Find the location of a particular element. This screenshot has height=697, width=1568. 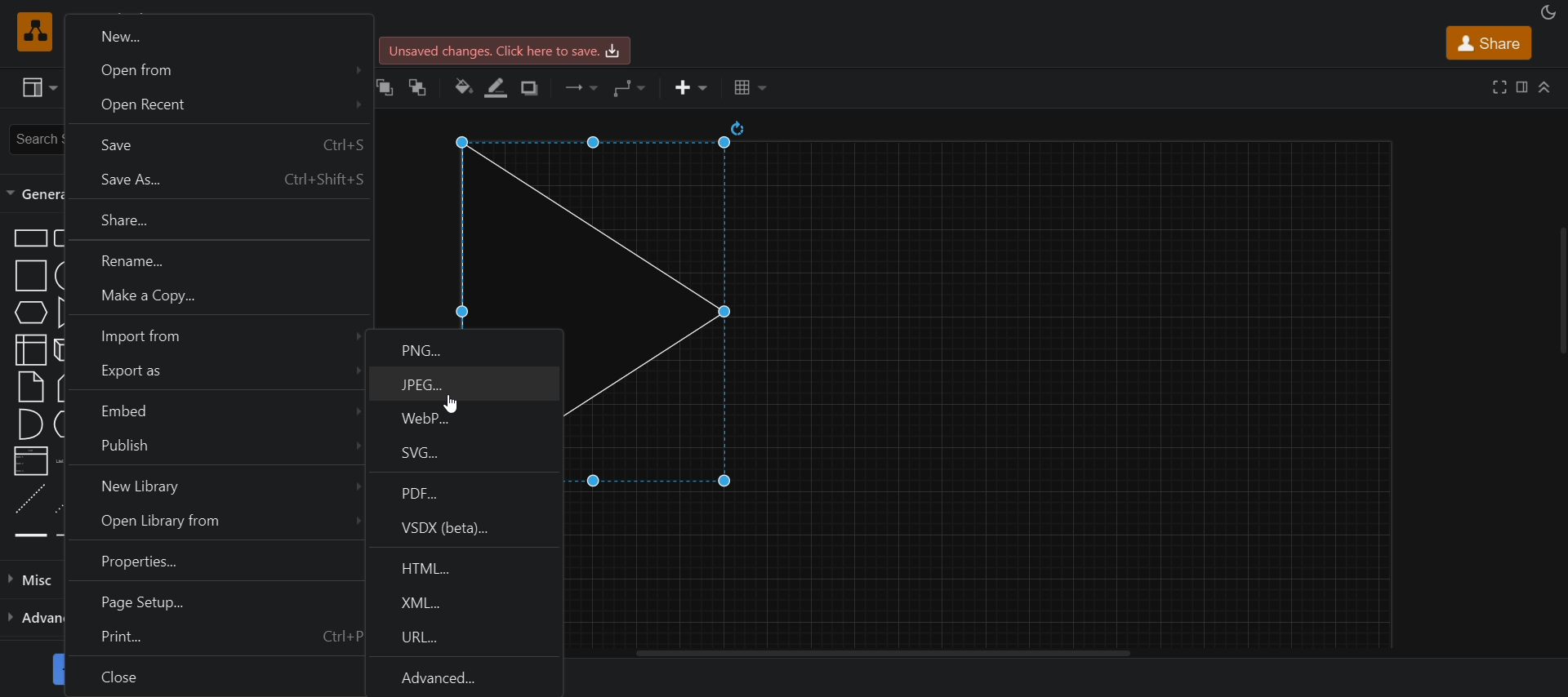

connection is located at coordinates (581, 87).